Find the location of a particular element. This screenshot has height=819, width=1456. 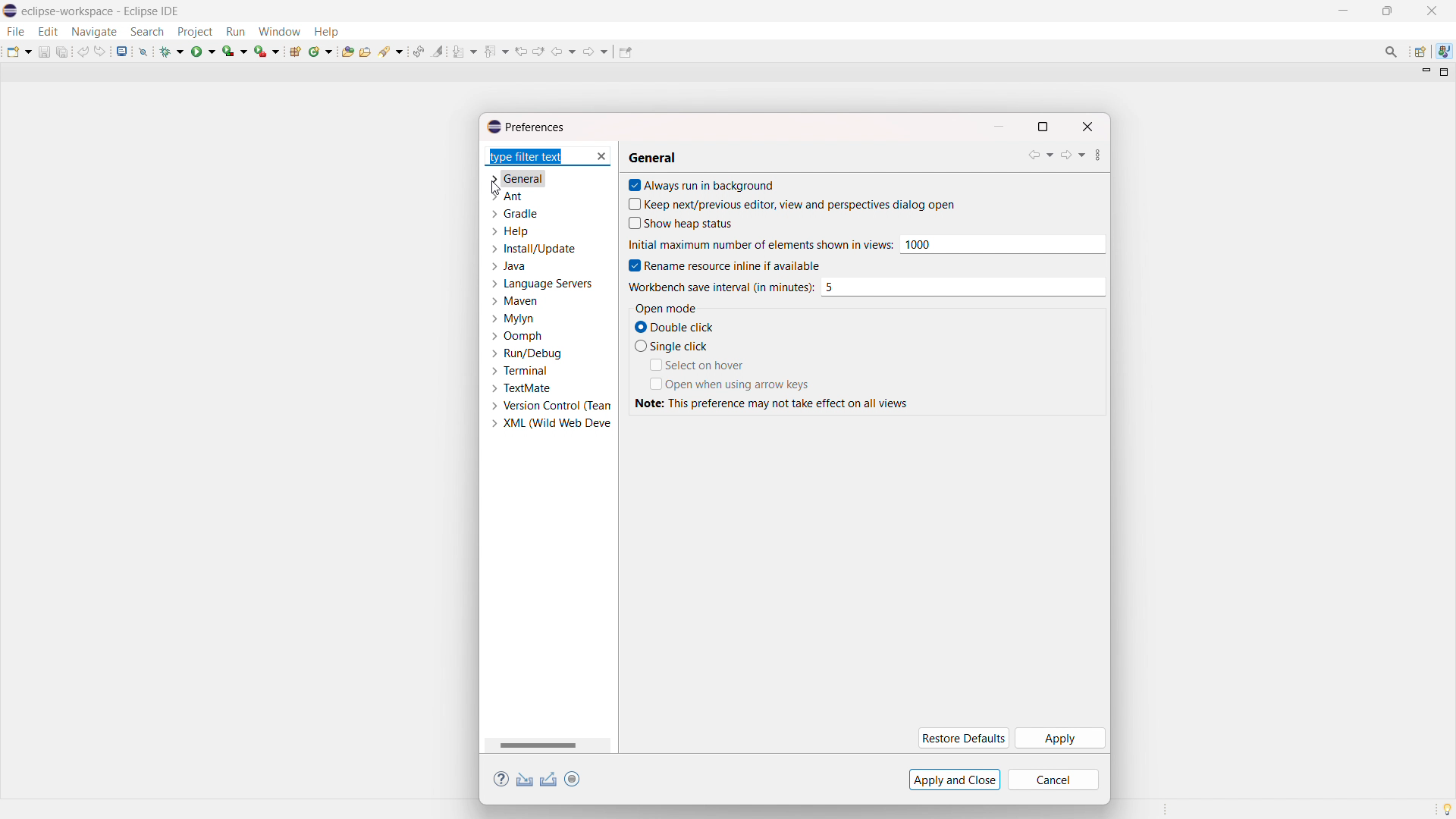

minimize dialogbox is located at coordinates (998, 127).